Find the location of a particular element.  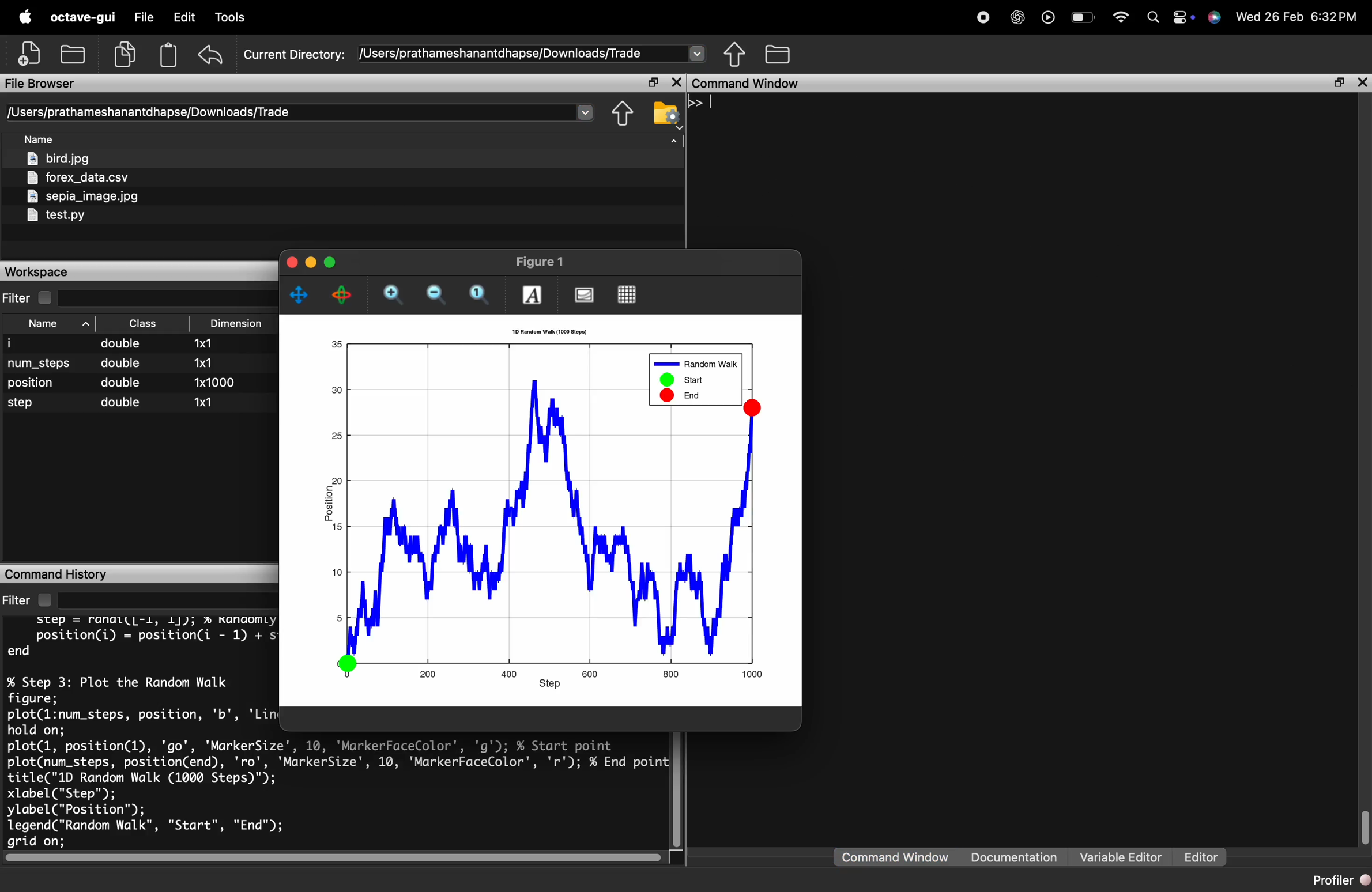

console code - 120 Random Walk Simulation in GNU Octave clc; clear; close all; % Clean workspace Step 1: Define Parameters num_steps = 1000; % Number of steps position = zeros(1, num_steps); % Initialize position array Step 2: Perform Random Walk for i 2:num steps end step randi ([-1, 1]); % Randomly choose 1 (left) or +1 (right) position(i) = position(i-1)+ step; % Update position Step 3: Plot the Random Walk figure; plot(1:num_steps, position, 'b', 'LineWidth', 2); hold on: plot(1, position (1), 'go', 'MarkerSize', 10, 'MarkerFaceColor', 'g'); % Start point plot(num_steps, position(end), 'ro', 'MarkerSize', 10, 'MarkerFaceColor', 'r'); % End point title("1D Random Walk (1000 Steps)"); xlabel("Step"); ylabel("Position"); legend("Random Walk", "Start", "End"); grid on; is located at coordinates (146, 731).